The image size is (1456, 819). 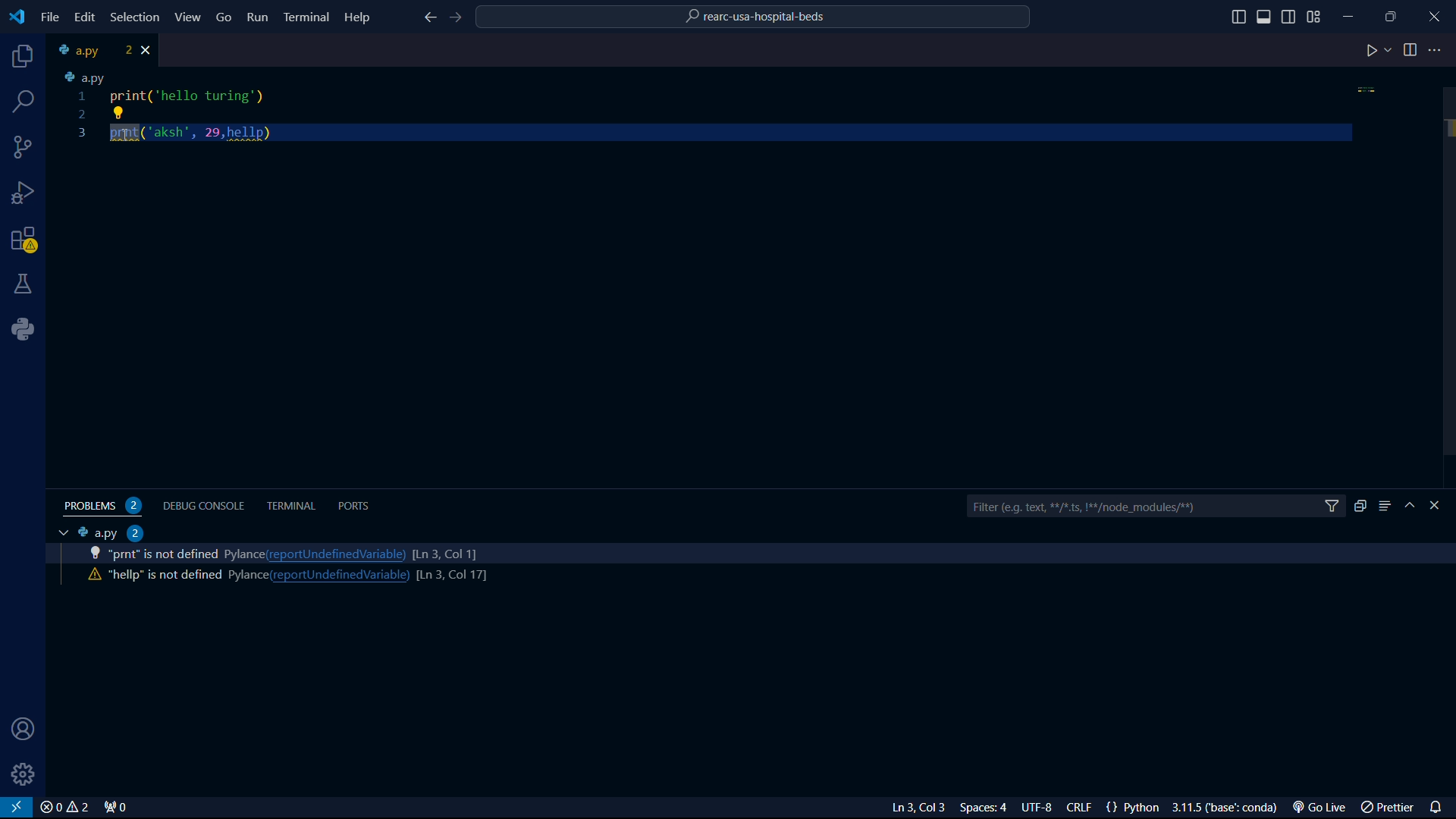 What do you see at coordinates (106, 506) in the screenshot?
I see `problems 2` at bounding box center [106, 506].